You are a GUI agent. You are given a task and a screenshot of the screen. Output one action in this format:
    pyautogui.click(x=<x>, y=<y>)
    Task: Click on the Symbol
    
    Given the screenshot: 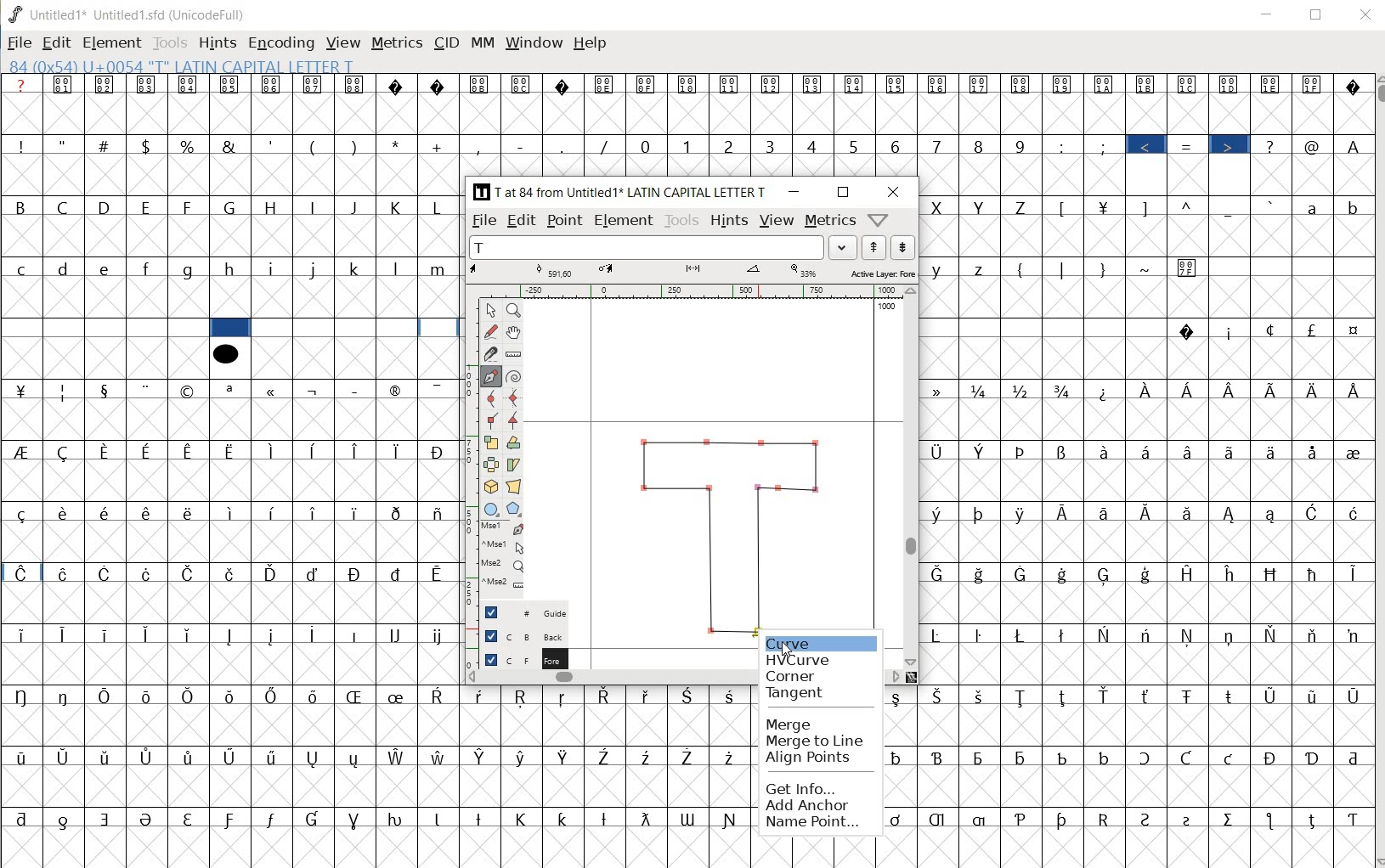 What is the action you would take?
    pyautogui.click(x=357, y=389)
    